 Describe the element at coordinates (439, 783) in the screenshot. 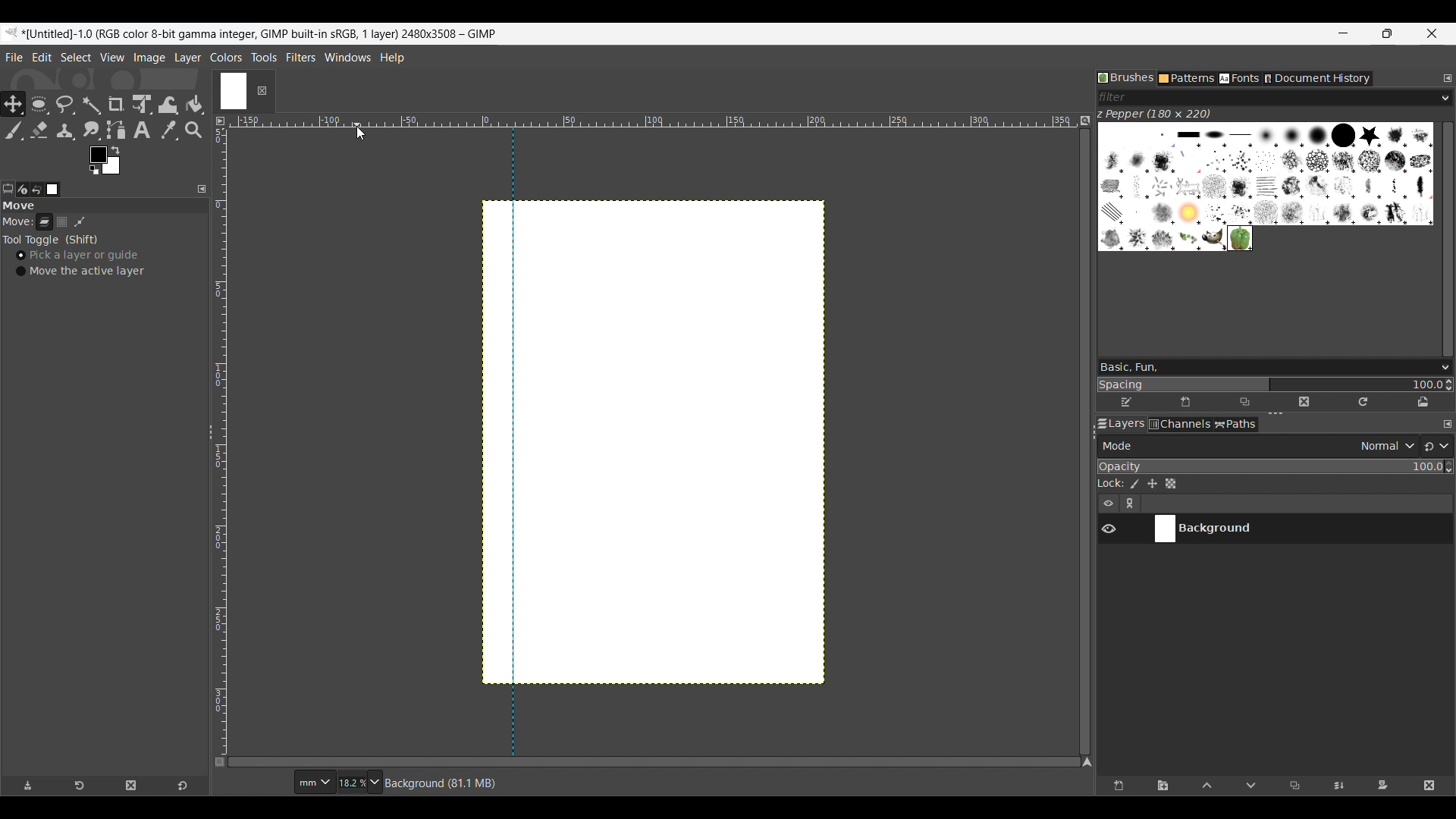

I see `Description of current selection` at that location.